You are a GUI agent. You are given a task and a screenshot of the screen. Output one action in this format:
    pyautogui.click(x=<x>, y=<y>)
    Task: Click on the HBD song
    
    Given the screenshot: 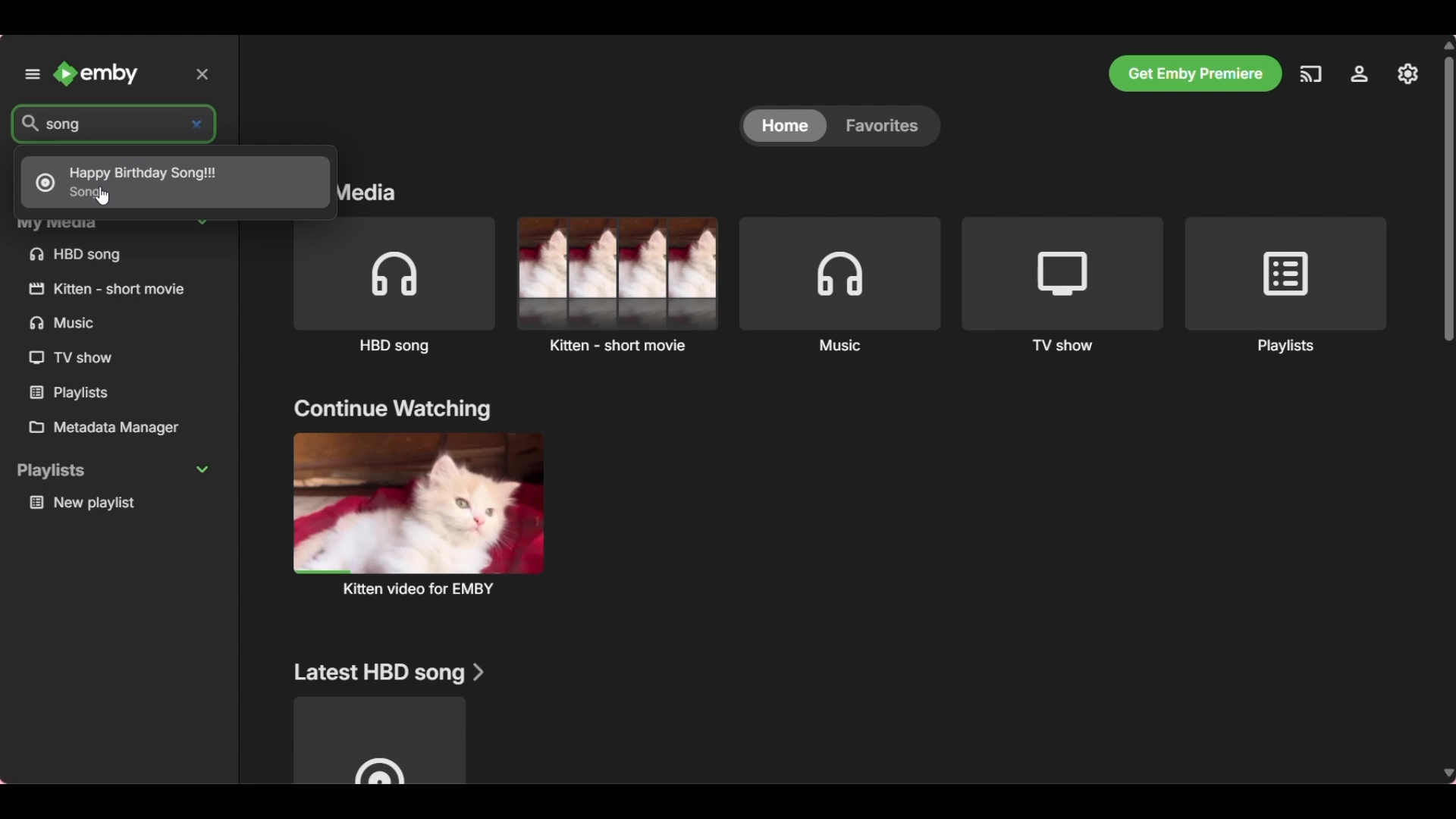 What is the action you would take?
    pyautogui.click(x=76, y=255)
    